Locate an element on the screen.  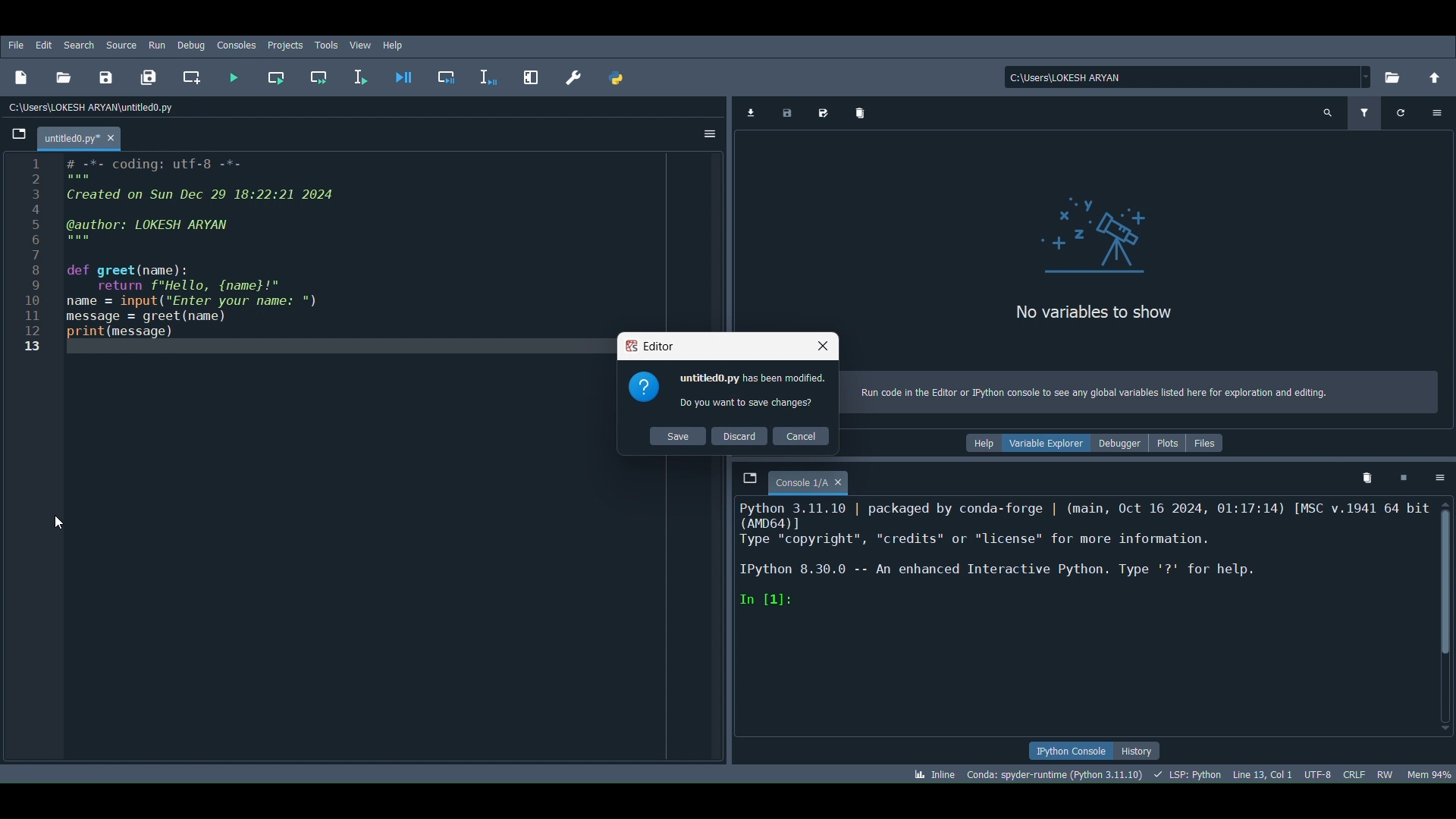
Encoding is located at coordinates (1318, 773).